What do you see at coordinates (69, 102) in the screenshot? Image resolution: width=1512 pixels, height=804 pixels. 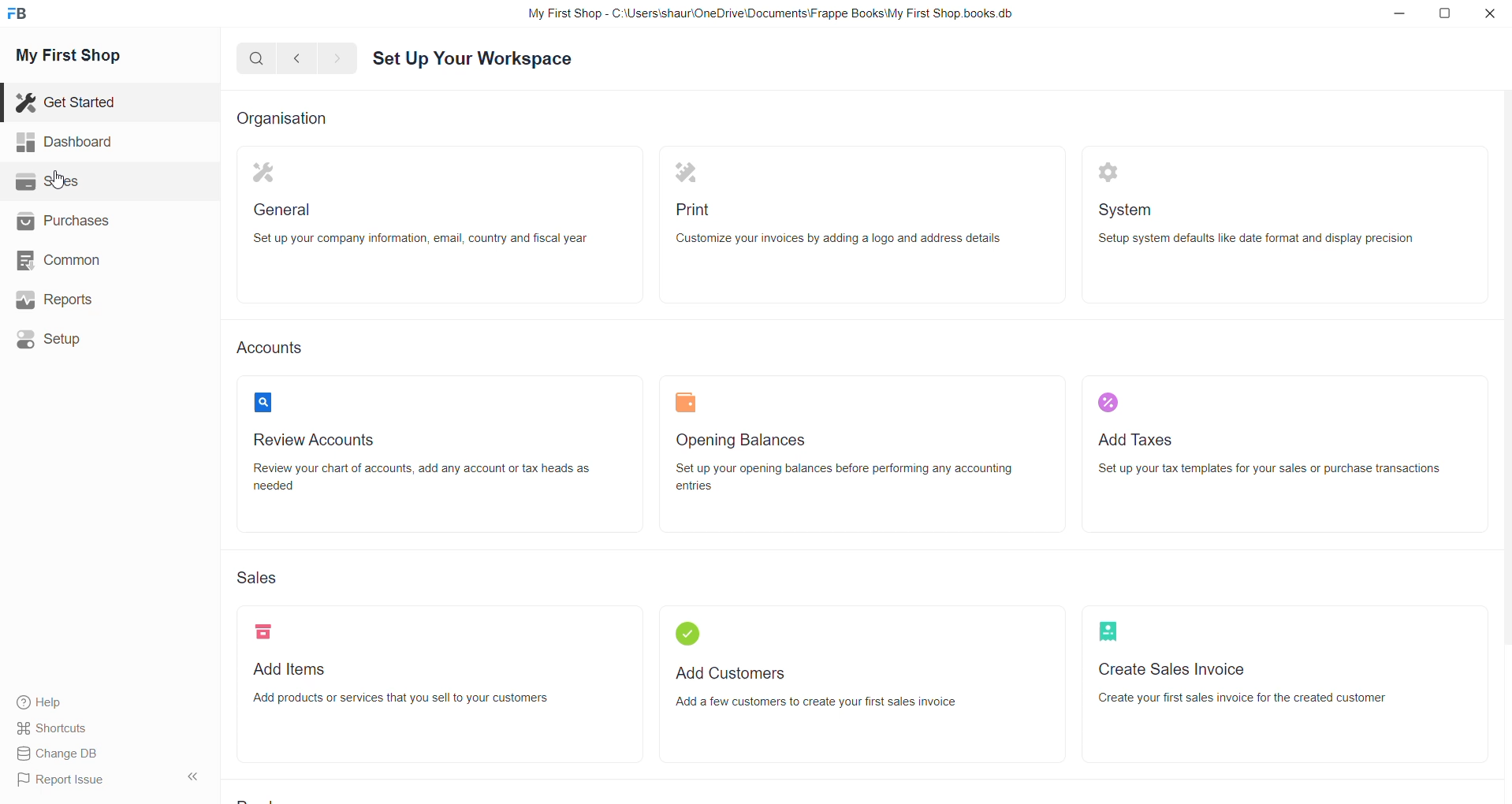 I see `Get Started` at bounding box center [69, 102].